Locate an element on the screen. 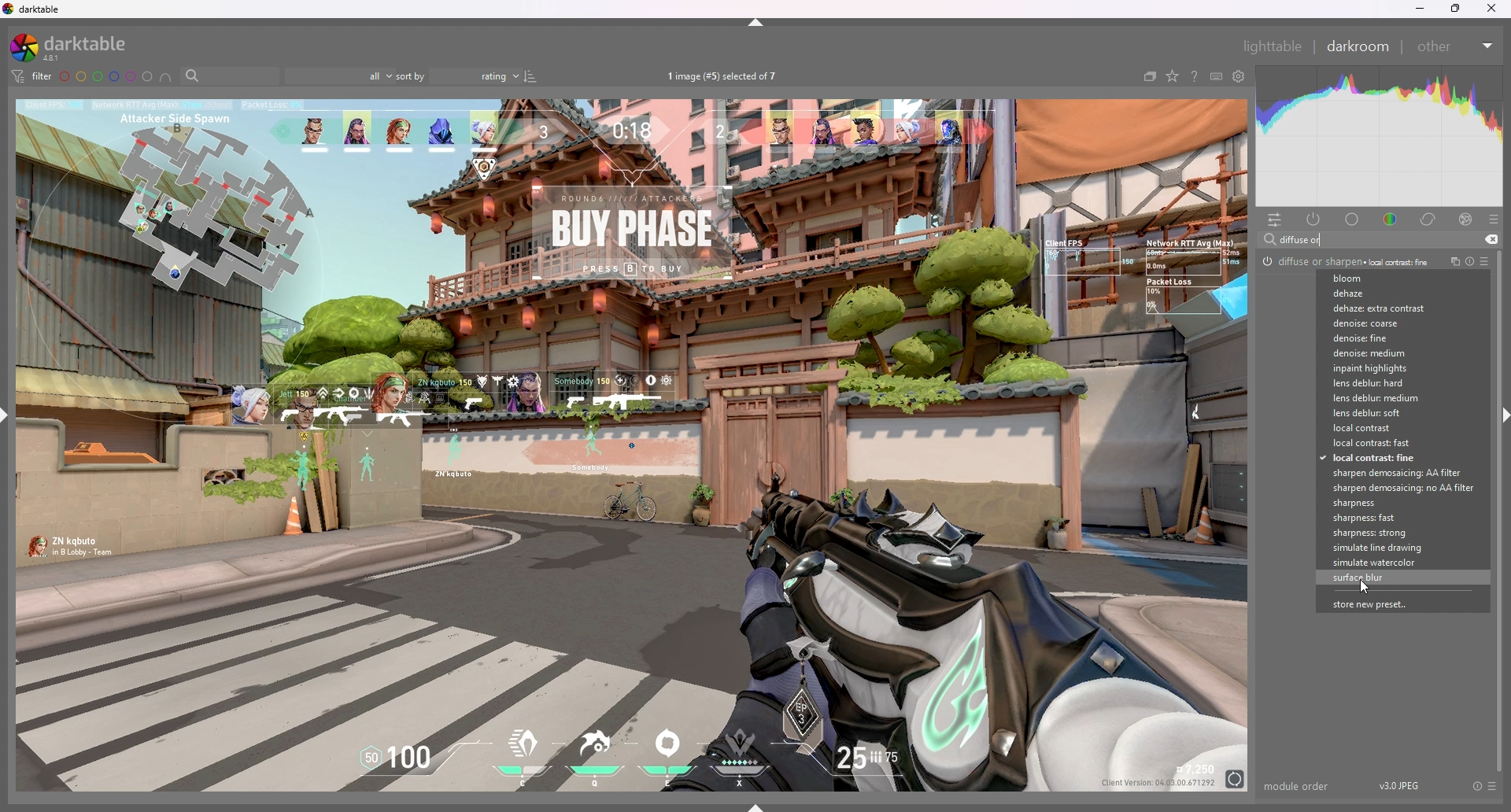  inpaint highlights is located at coordinates (1390, 368).